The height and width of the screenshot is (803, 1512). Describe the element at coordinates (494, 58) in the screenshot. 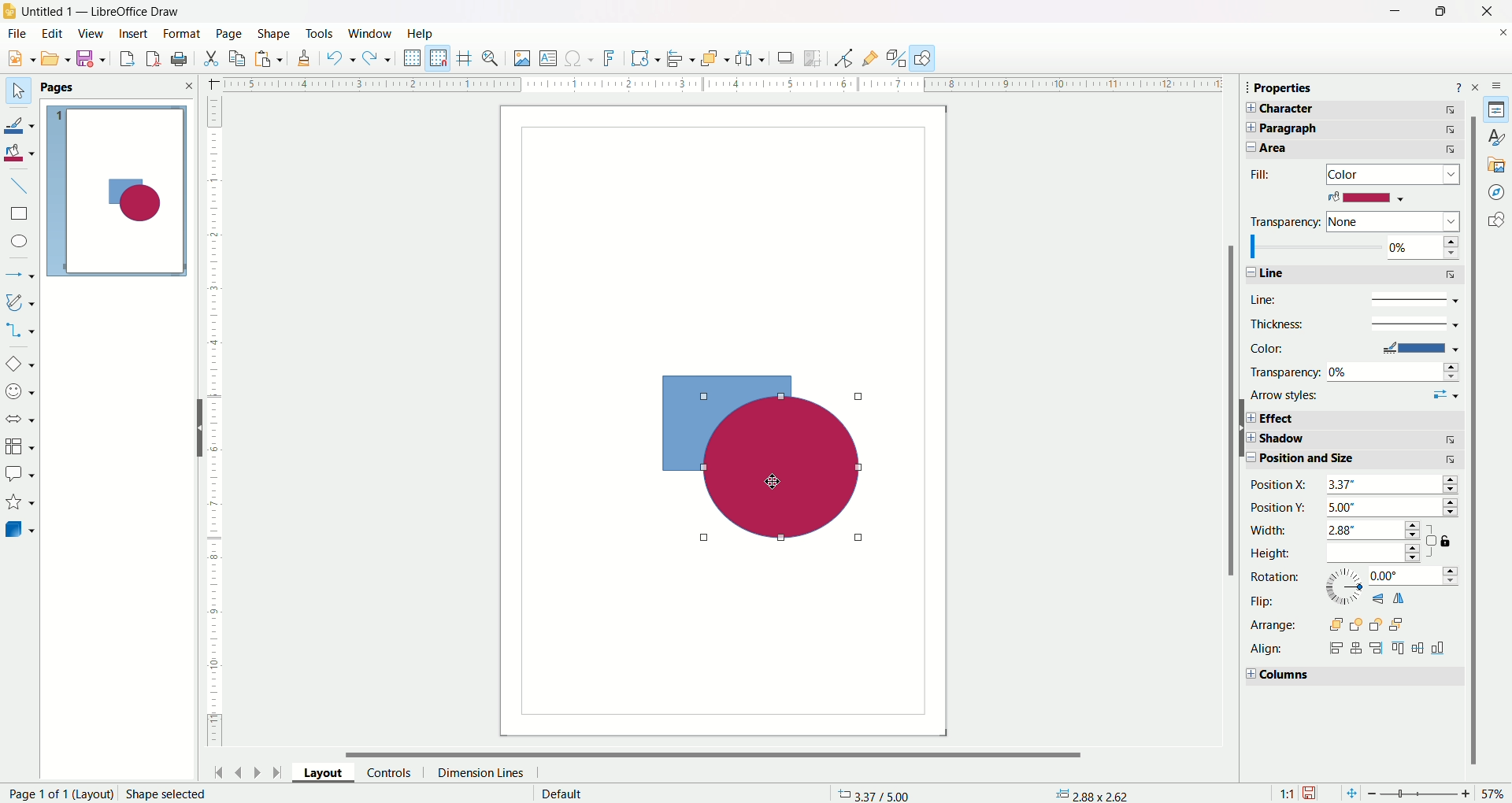

I see `pan and zoom` at that location.